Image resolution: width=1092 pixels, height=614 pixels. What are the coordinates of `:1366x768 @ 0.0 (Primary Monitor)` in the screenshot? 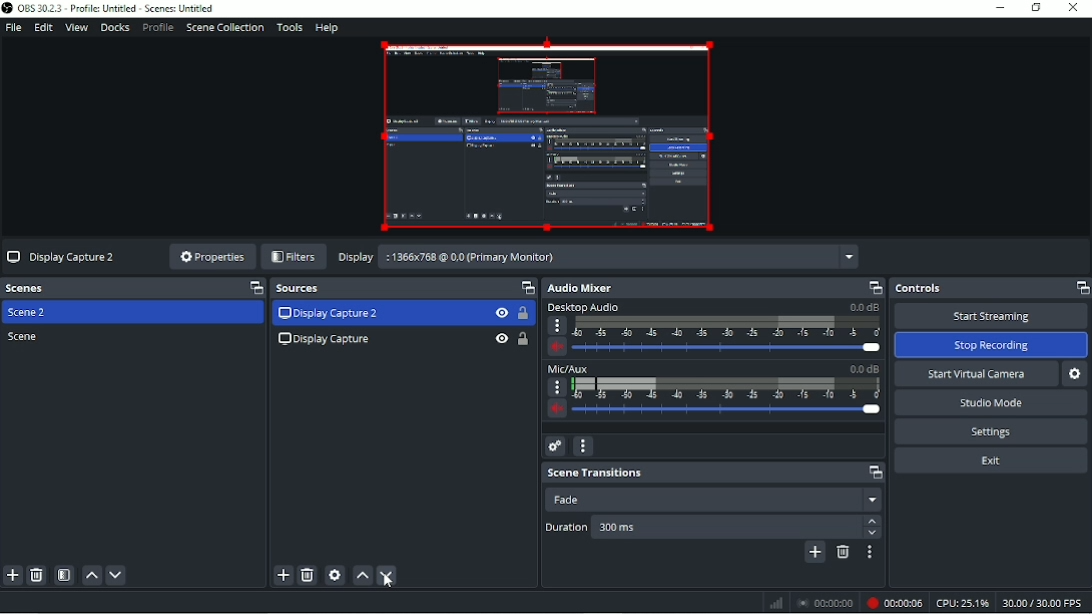 It's located at (623, 255).